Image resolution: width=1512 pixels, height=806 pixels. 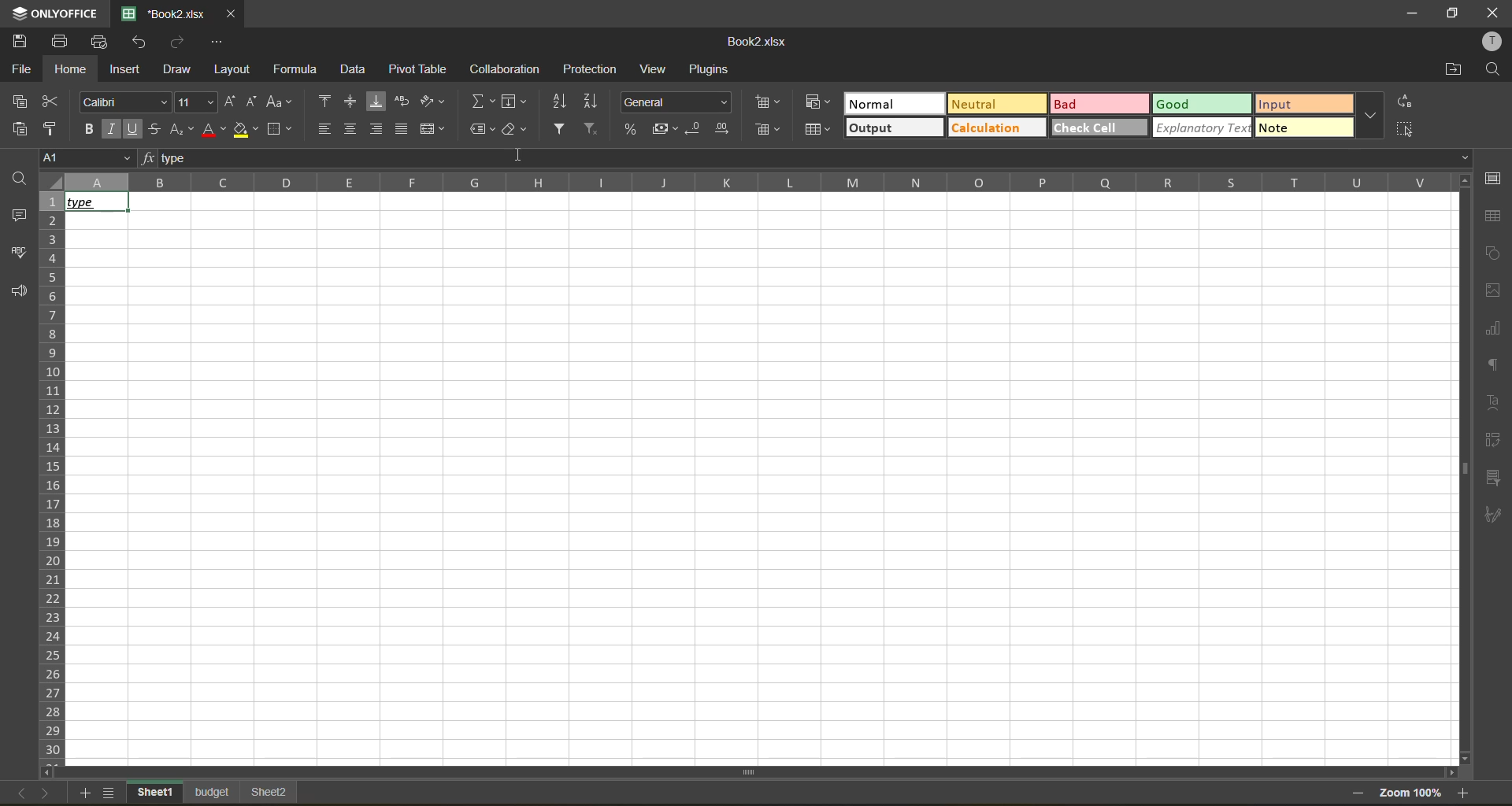 I want to click on layout, so click(x=235, y=70).